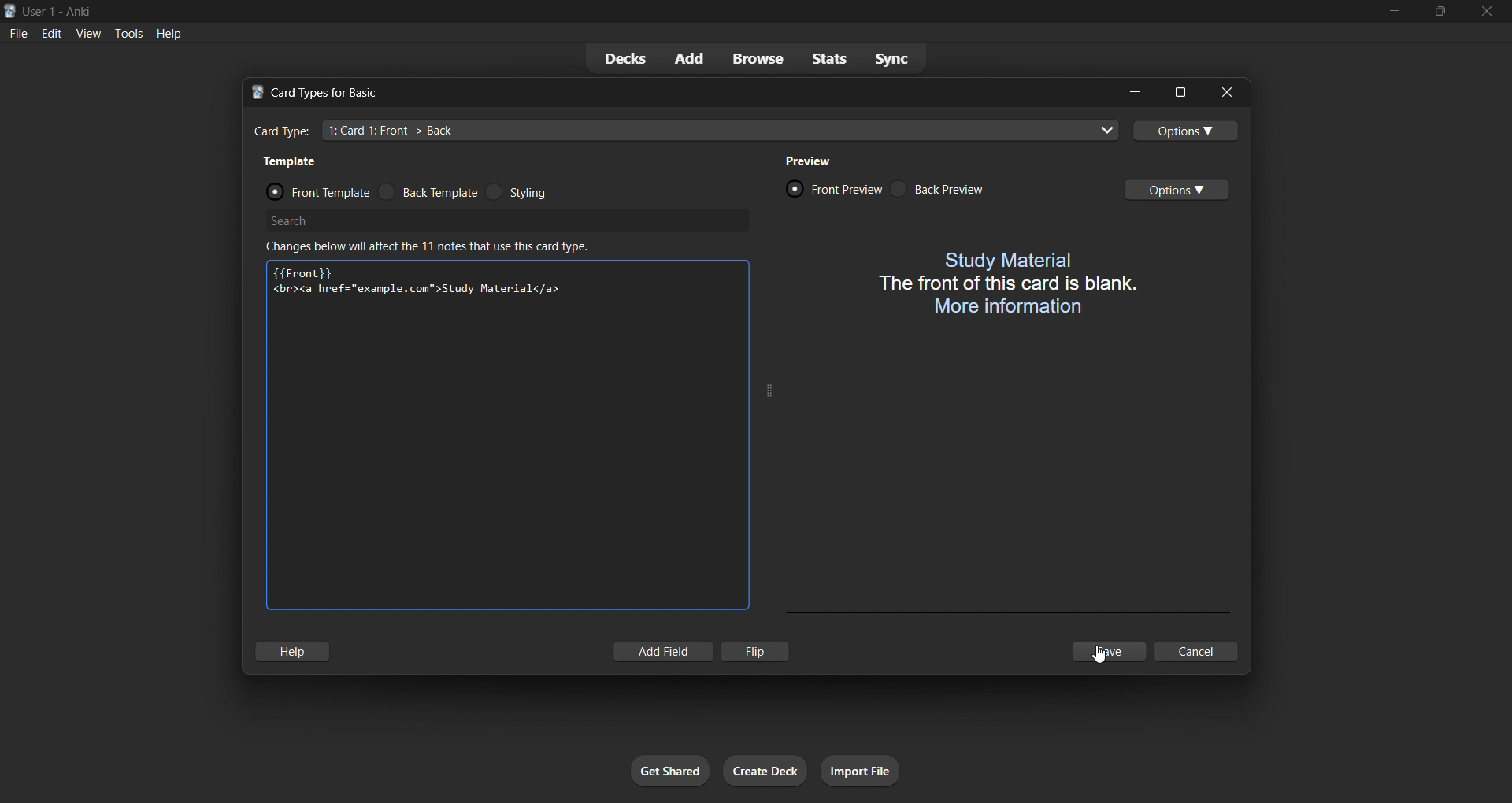 The width and height of the screenshot is (1512, 803). Describe the element at coordinates (85, 33) in the screenshot. I see `view` at that location.